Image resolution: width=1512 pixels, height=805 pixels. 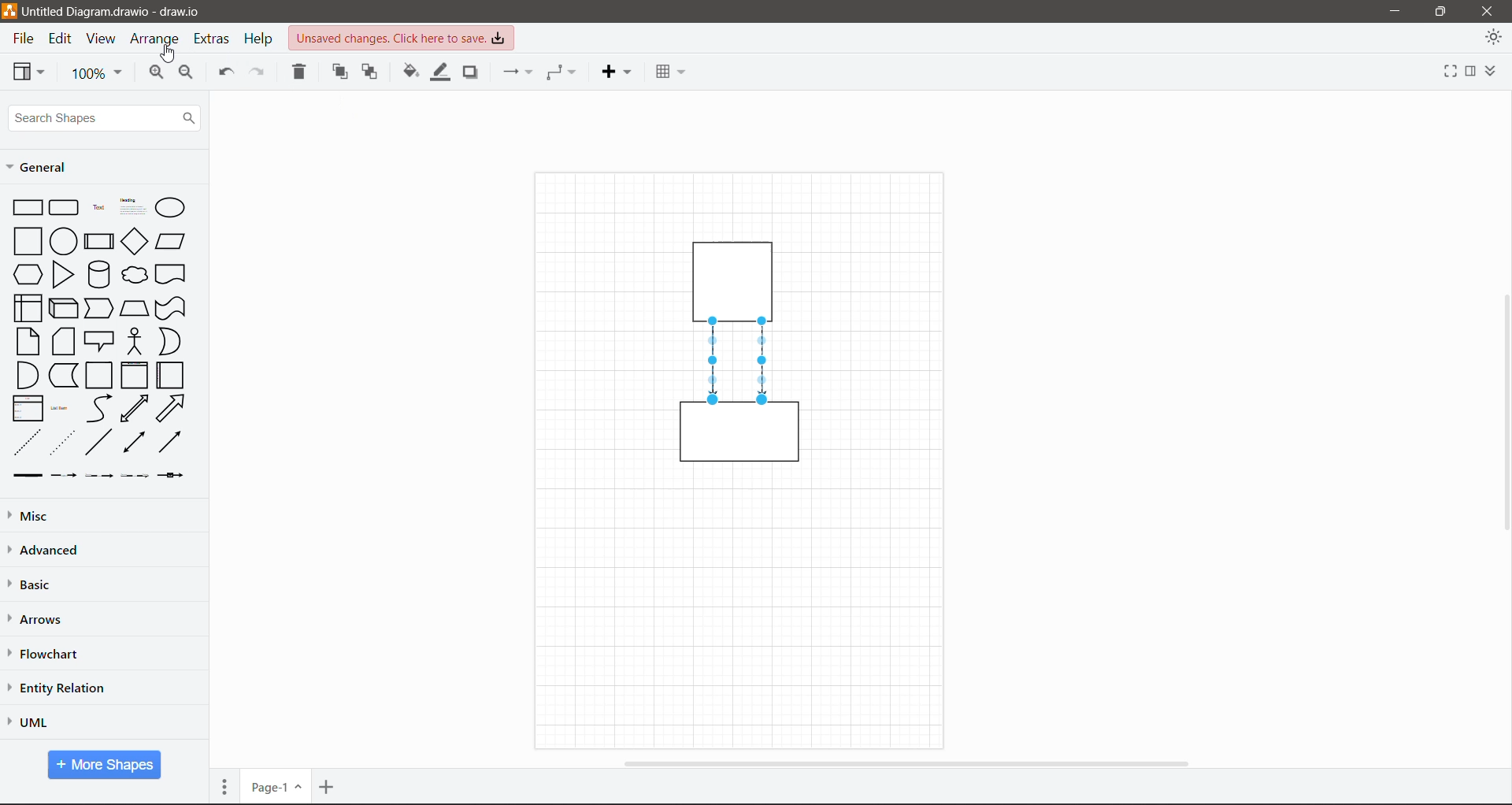 I want to click on close, so click(x=1487, y=10).